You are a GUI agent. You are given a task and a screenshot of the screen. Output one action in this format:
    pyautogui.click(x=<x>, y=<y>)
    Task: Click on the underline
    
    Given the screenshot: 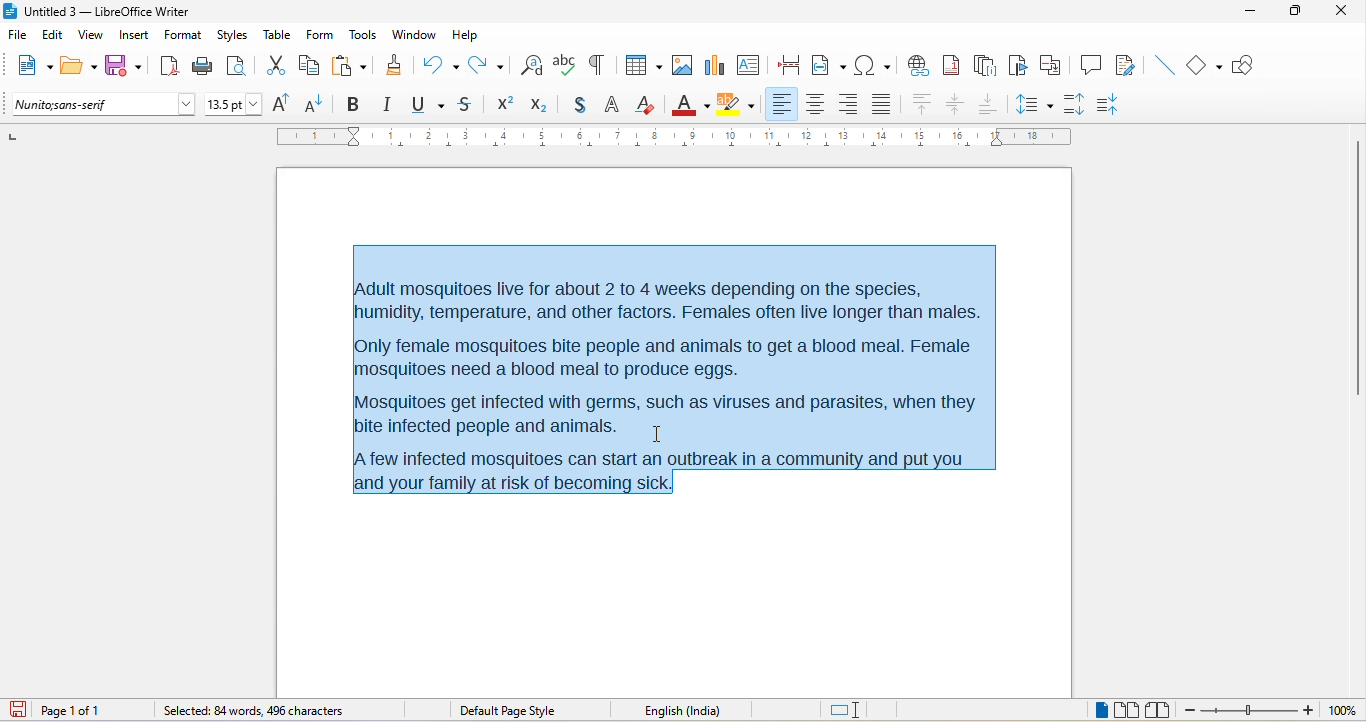 What is the action you would take?
    pyautogui.click(x=426, y=105)
    